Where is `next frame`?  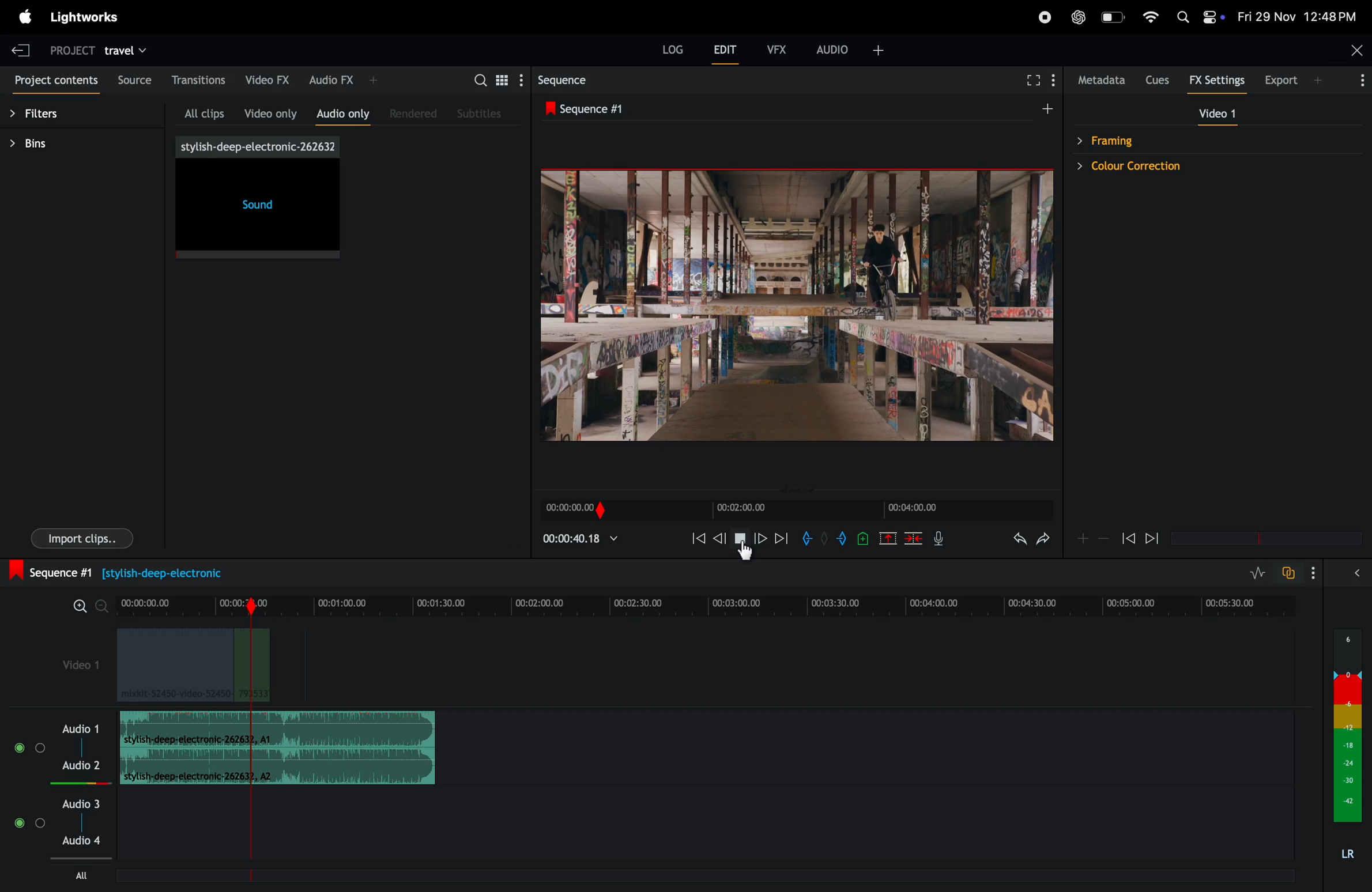 next frame is located at coordinates (1155, 538).